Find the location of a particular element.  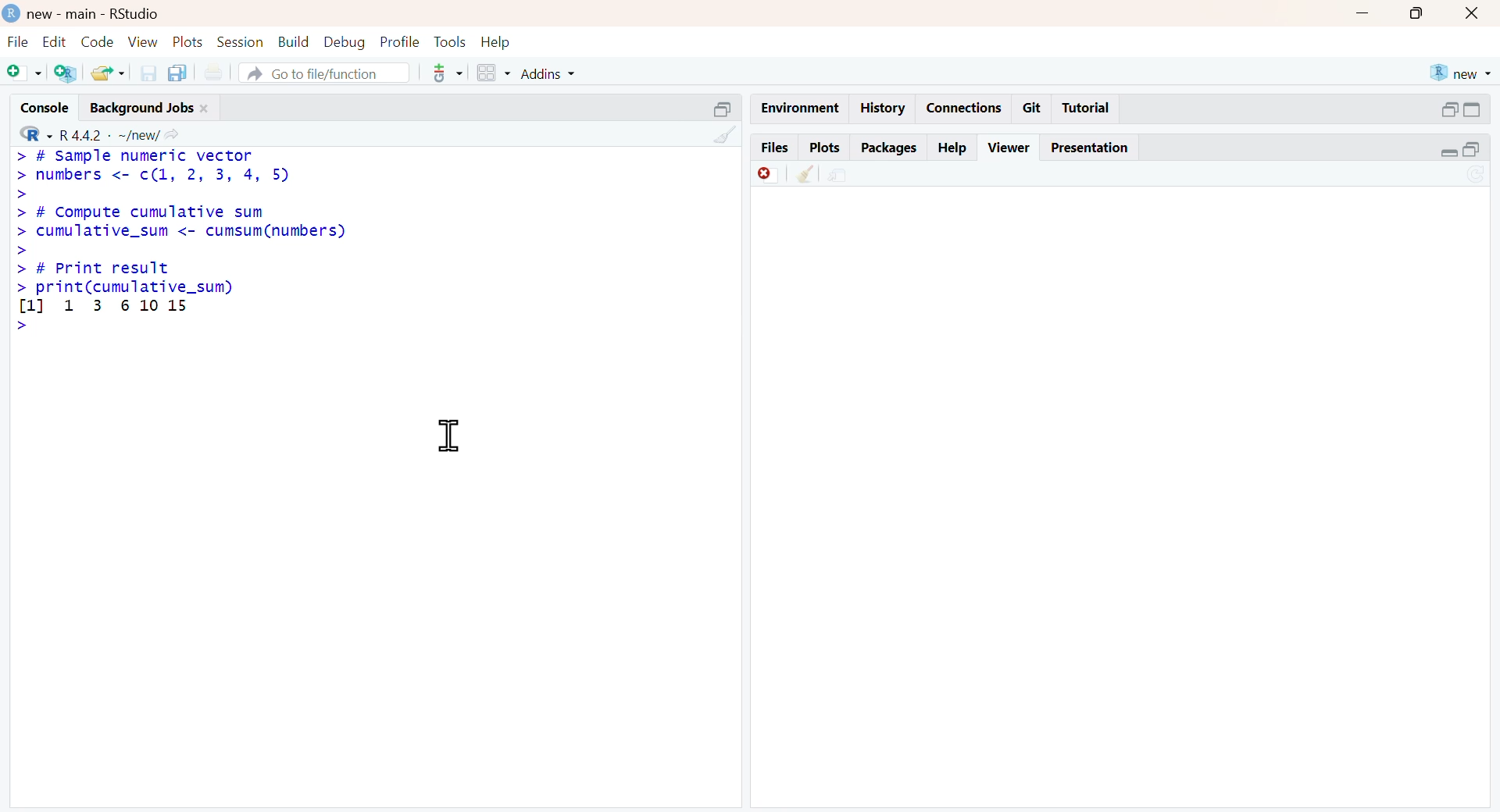

console is located at coordinates (47, 107).